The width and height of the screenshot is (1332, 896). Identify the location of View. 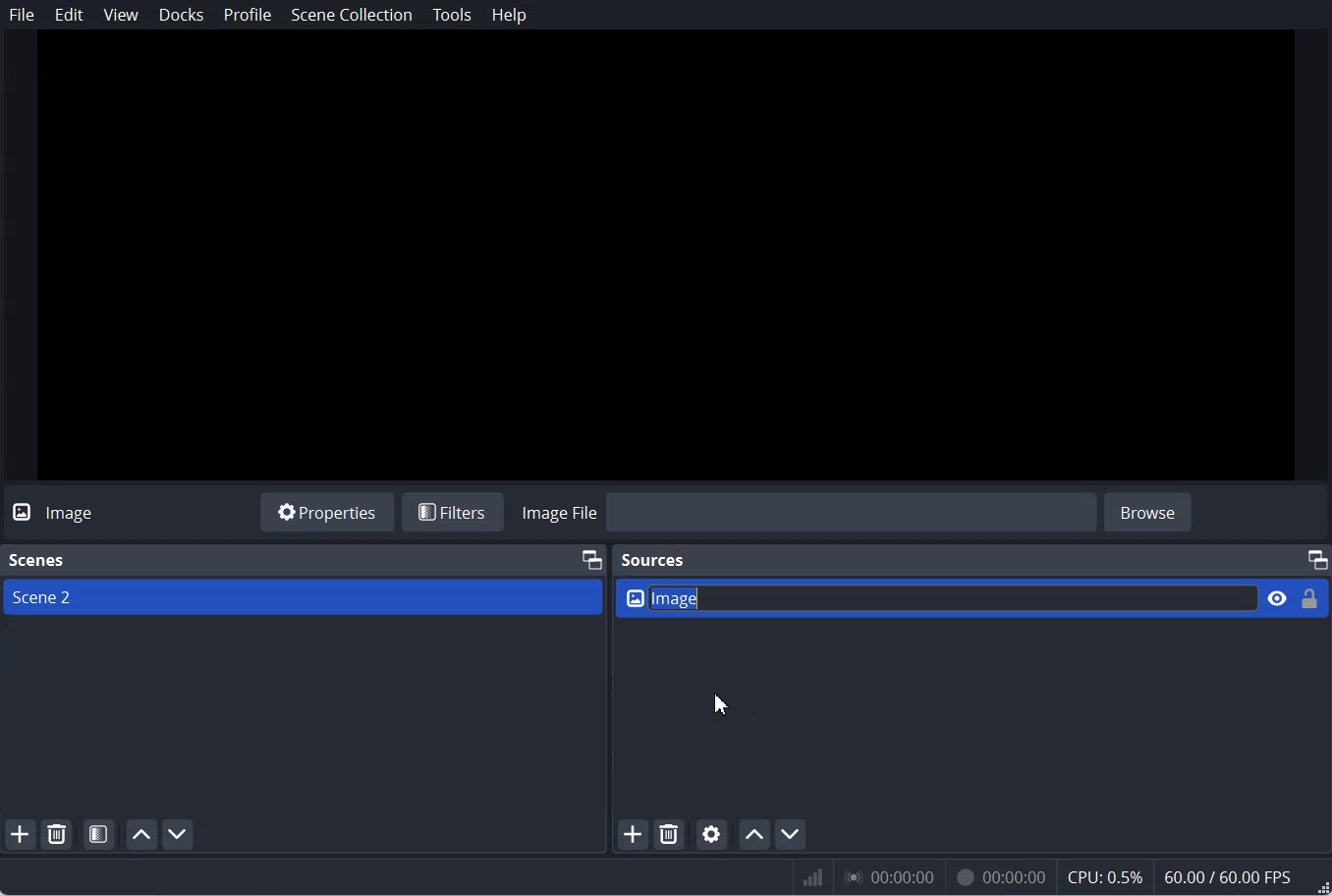
(121, 15).